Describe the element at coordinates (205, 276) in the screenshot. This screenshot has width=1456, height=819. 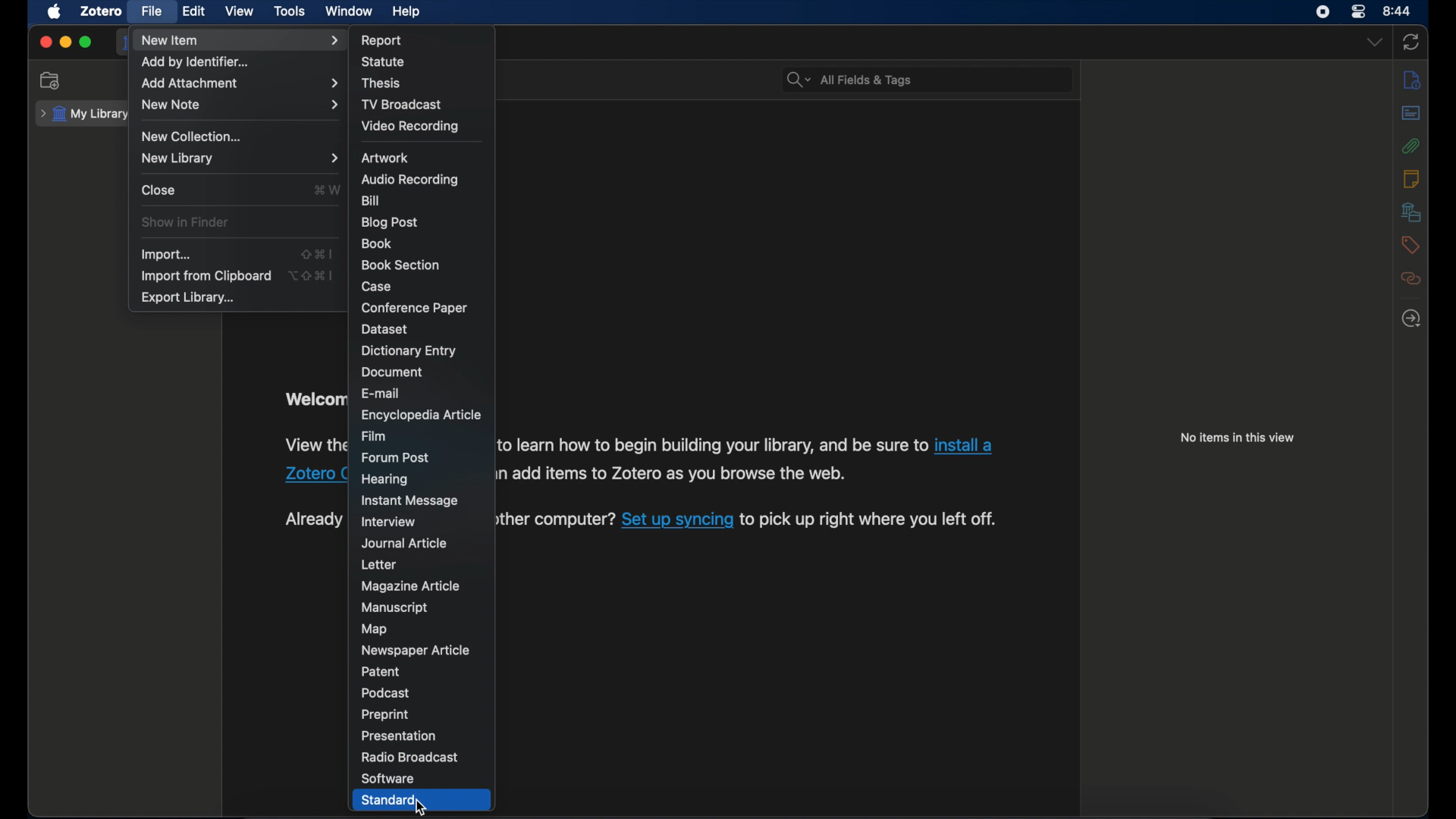
I see `import from clipboard` at that location.